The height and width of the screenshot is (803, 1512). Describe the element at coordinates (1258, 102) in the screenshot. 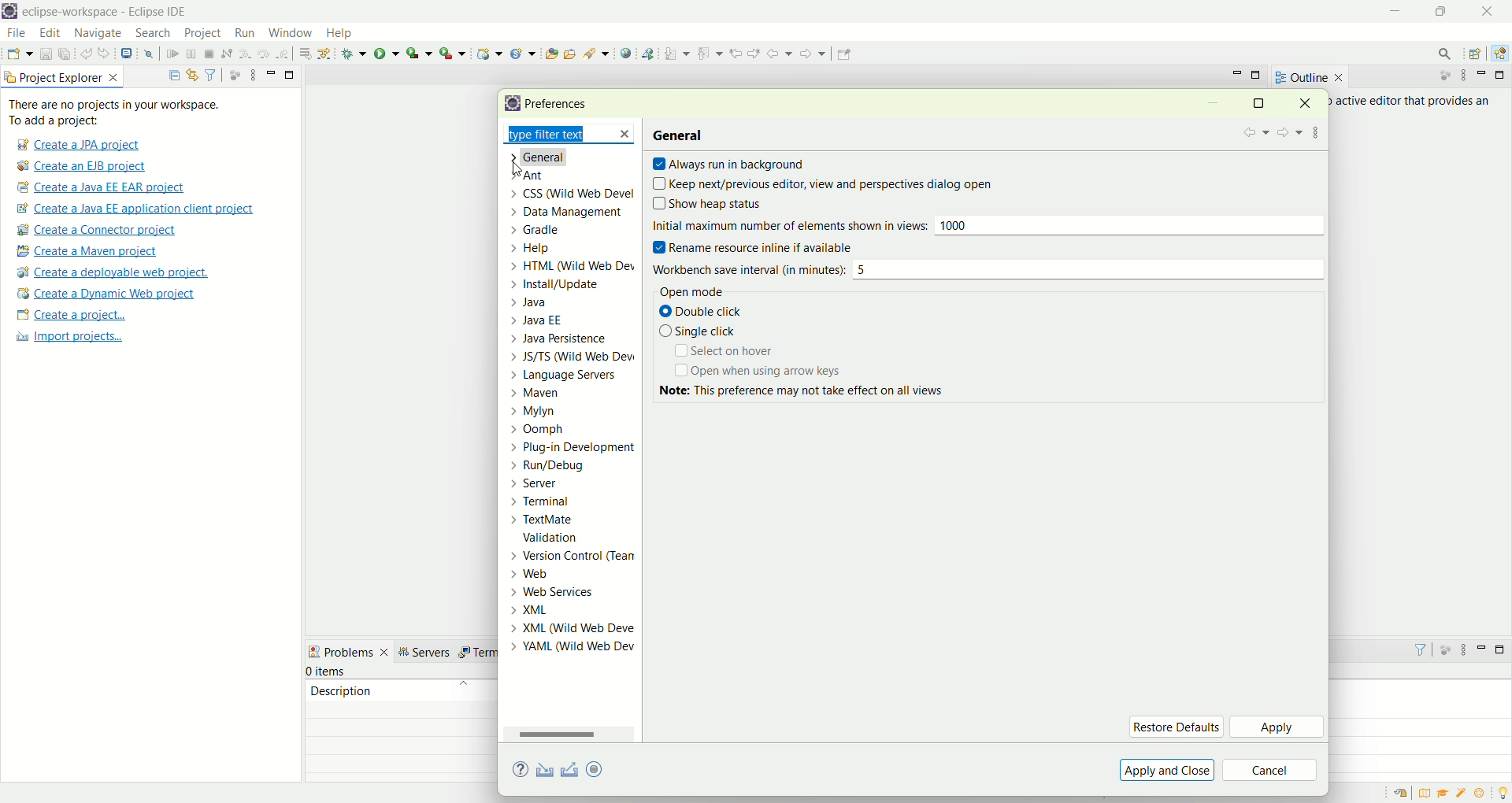

I see `maximize` at that location.